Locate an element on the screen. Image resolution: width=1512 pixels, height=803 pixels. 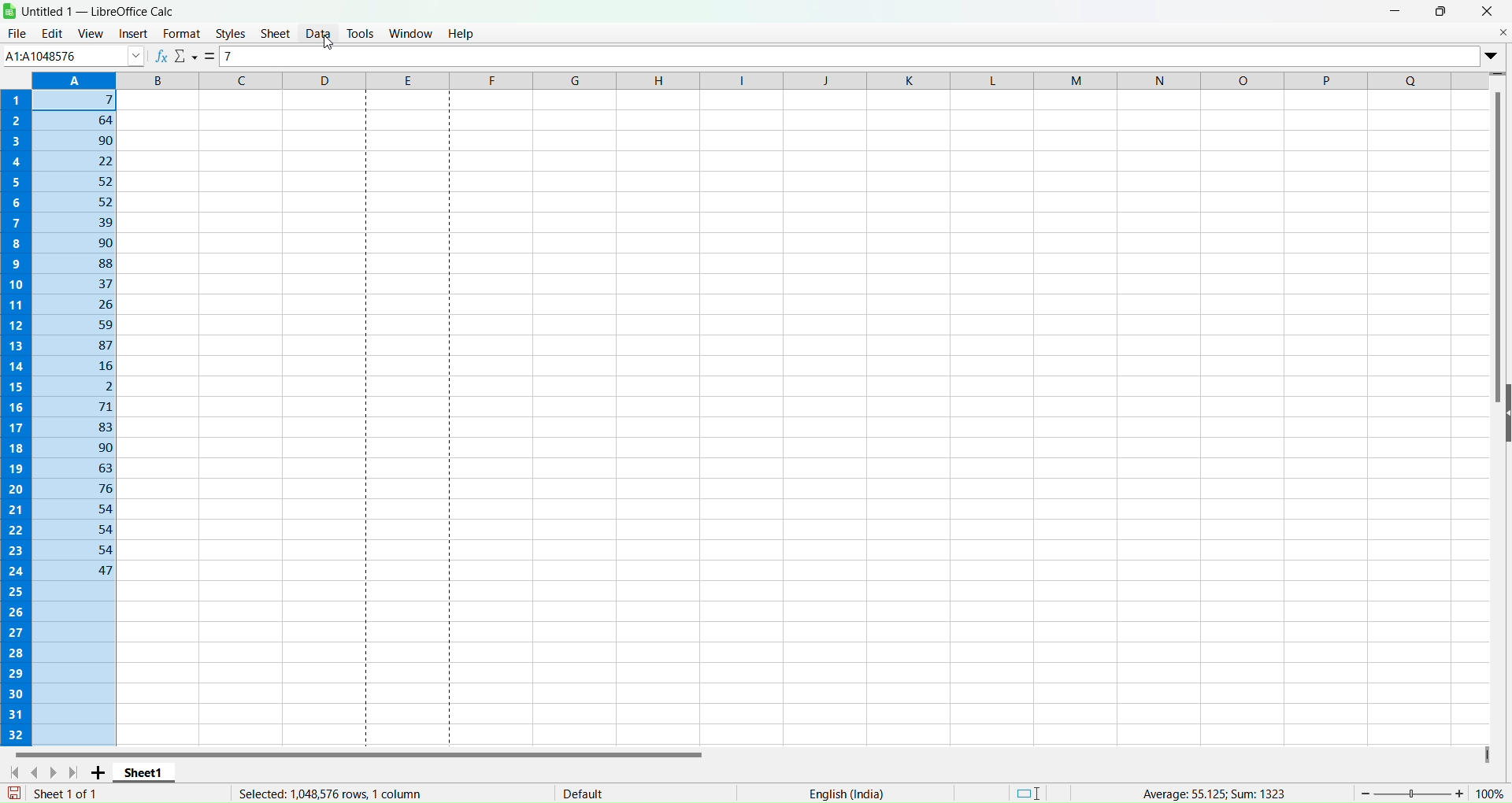
Sheet 1 is located at coordinates (146, 772).